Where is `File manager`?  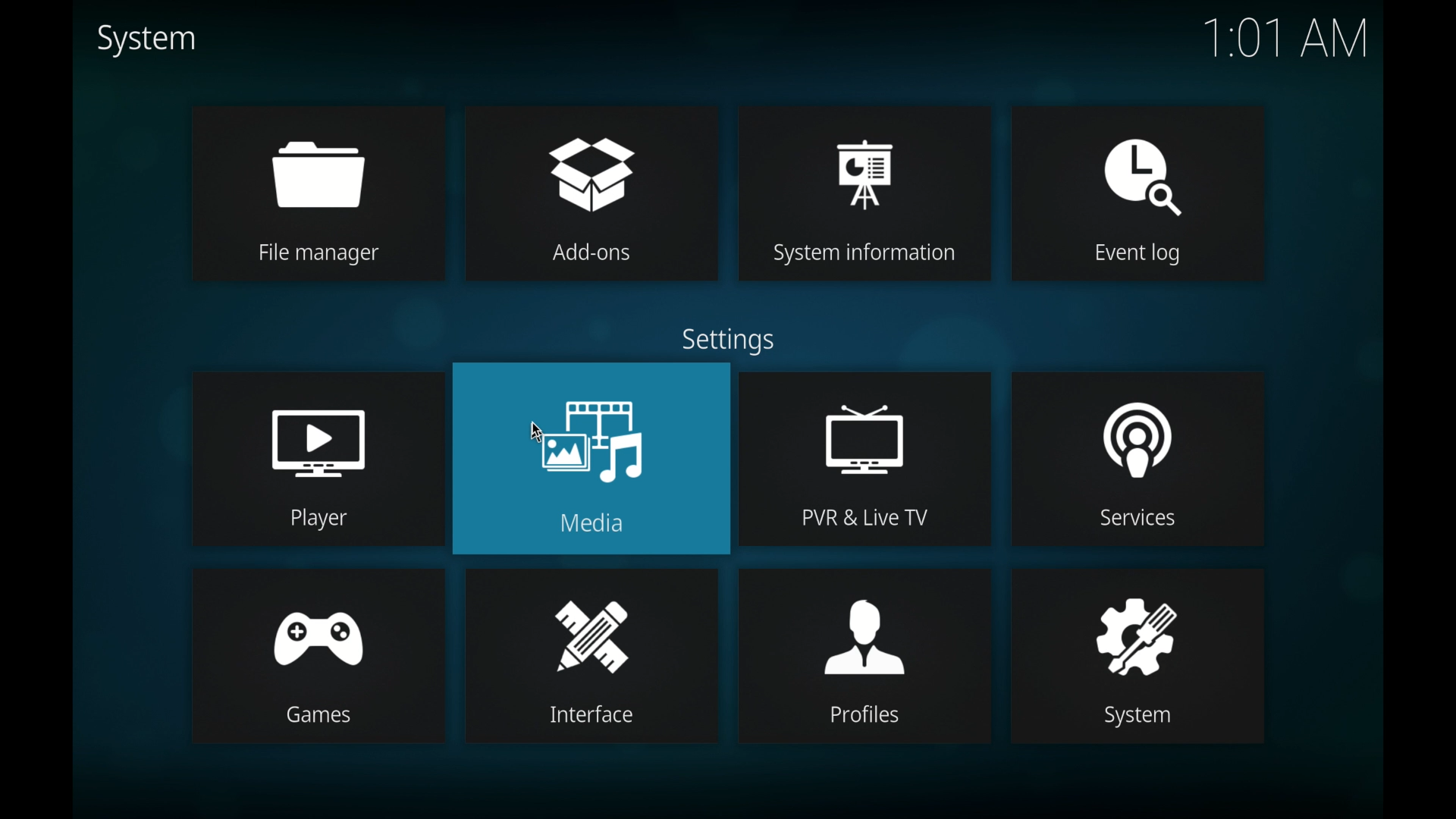
File manager is located at coordinates (322, 253).